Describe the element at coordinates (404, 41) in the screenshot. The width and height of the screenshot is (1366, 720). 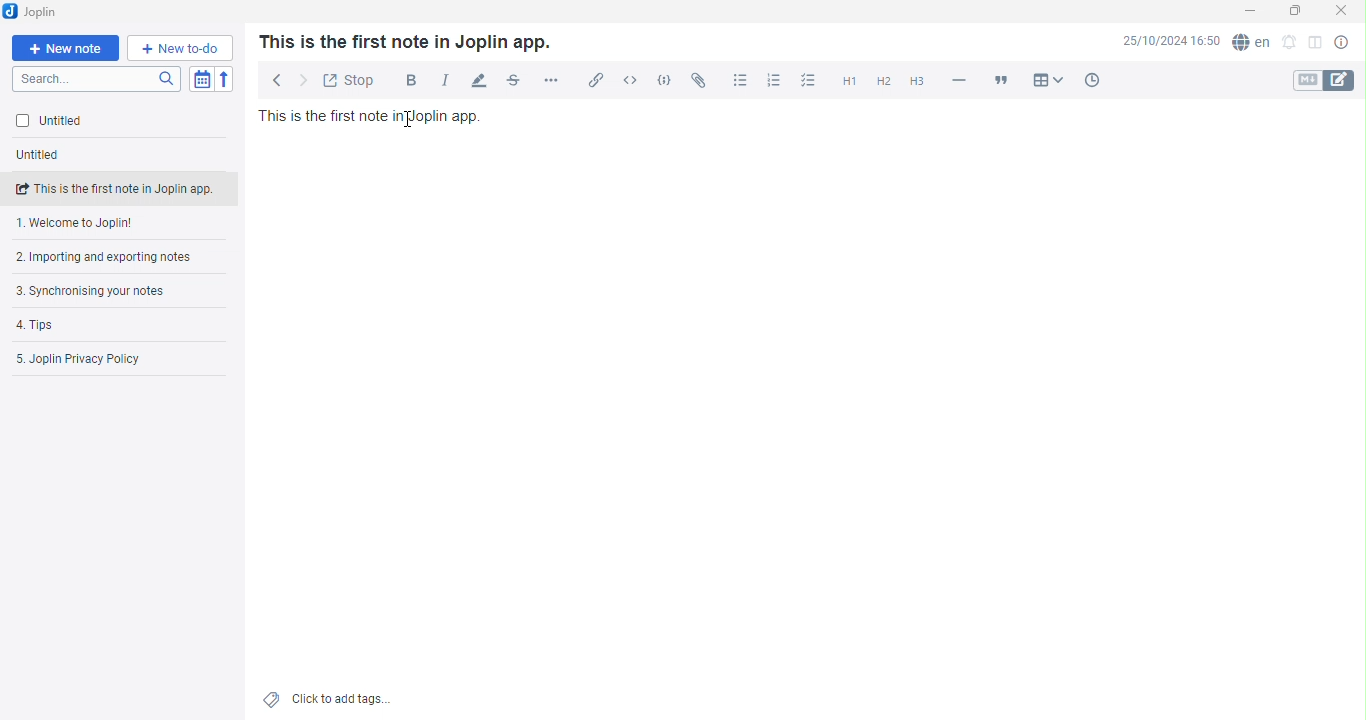
I see `Text` at that location.